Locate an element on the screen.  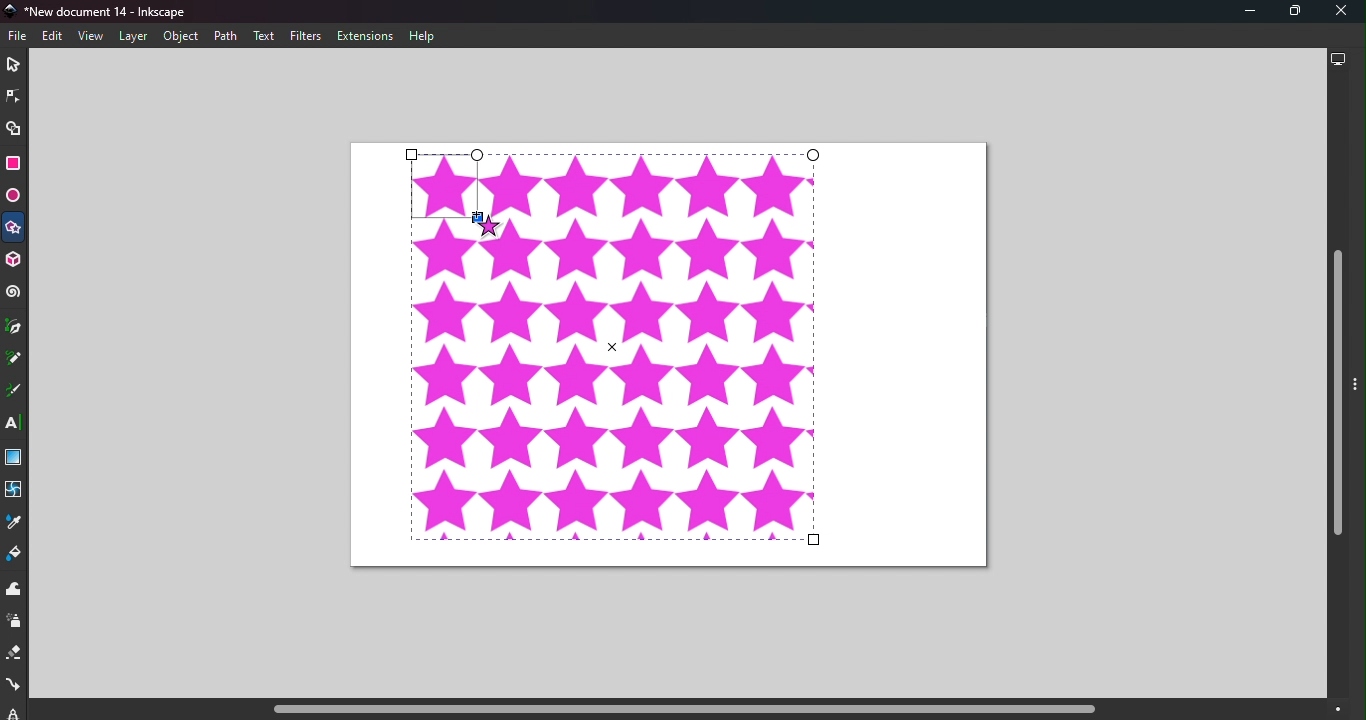
Horizontal scroll bar is located at coordinates (676, 710).